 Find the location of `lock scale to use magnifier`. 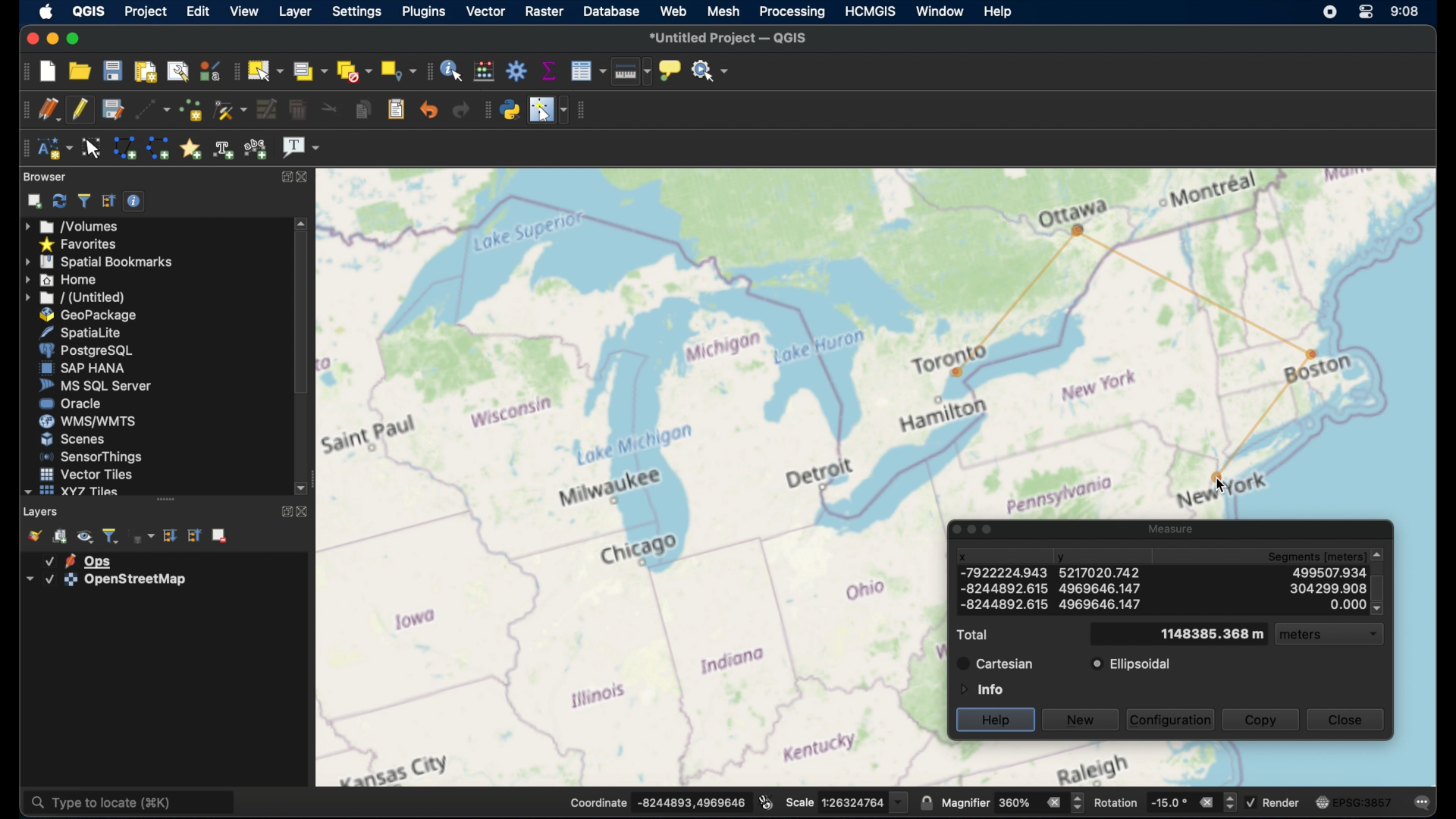

lock scale to use magnifier is located at coordinates (926, 803).